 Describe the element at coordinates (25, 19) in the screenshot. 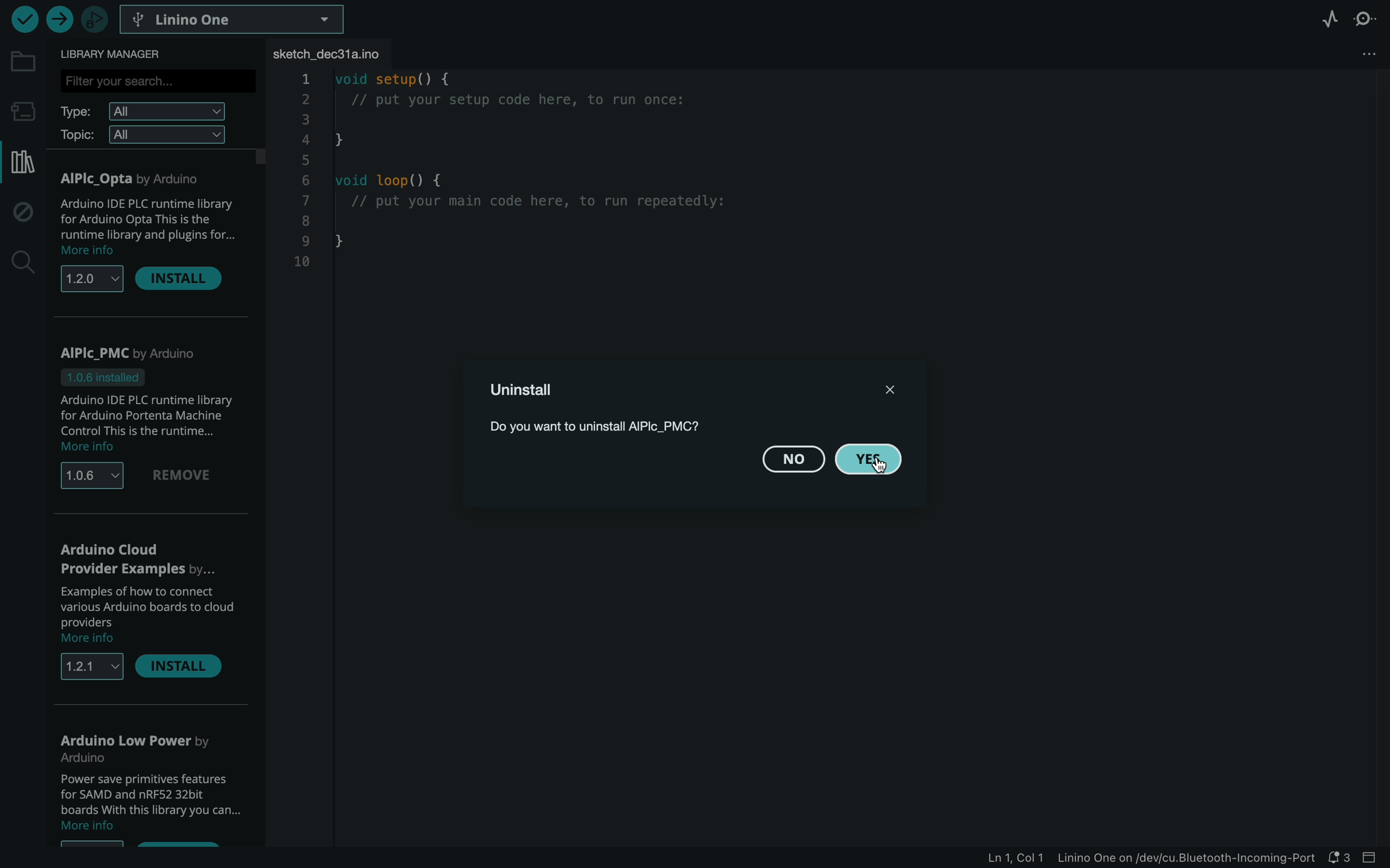

I see `verify` at that location.